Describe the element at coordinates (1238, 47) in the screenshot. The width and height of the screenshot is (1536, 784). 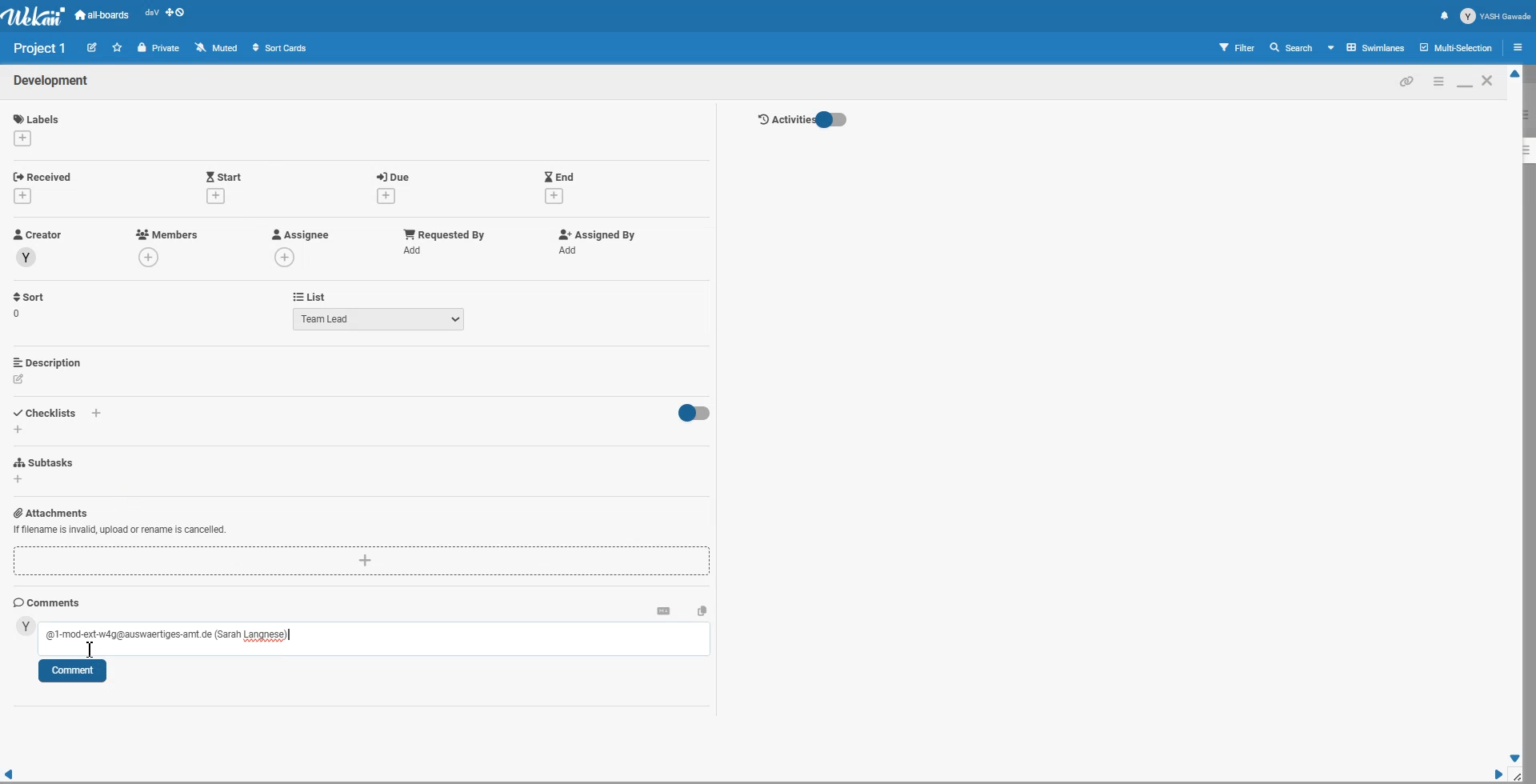
I see `Filter` at that location.